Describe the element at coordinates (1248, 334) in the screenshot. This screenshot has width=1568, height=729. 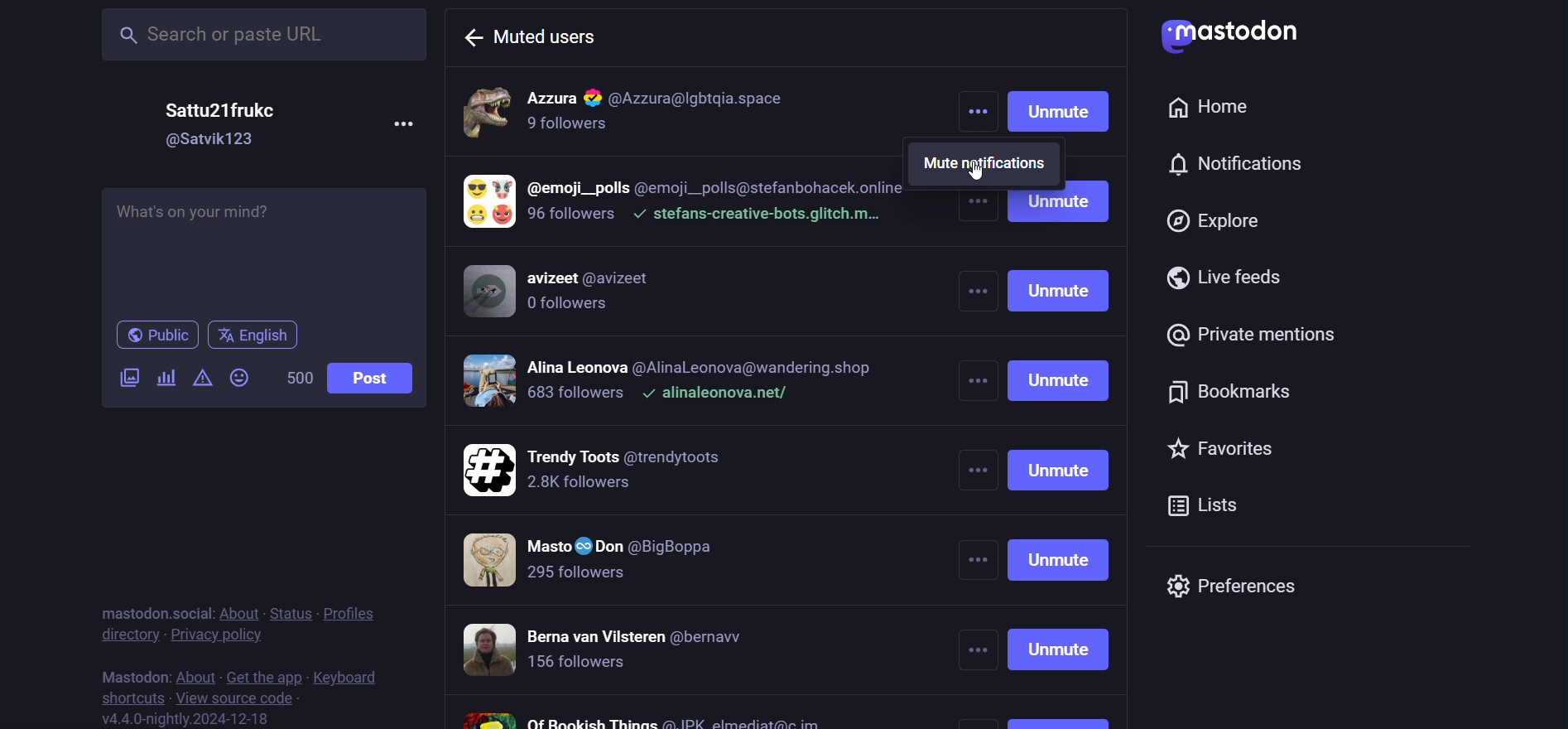
I see `private mention` at that location.